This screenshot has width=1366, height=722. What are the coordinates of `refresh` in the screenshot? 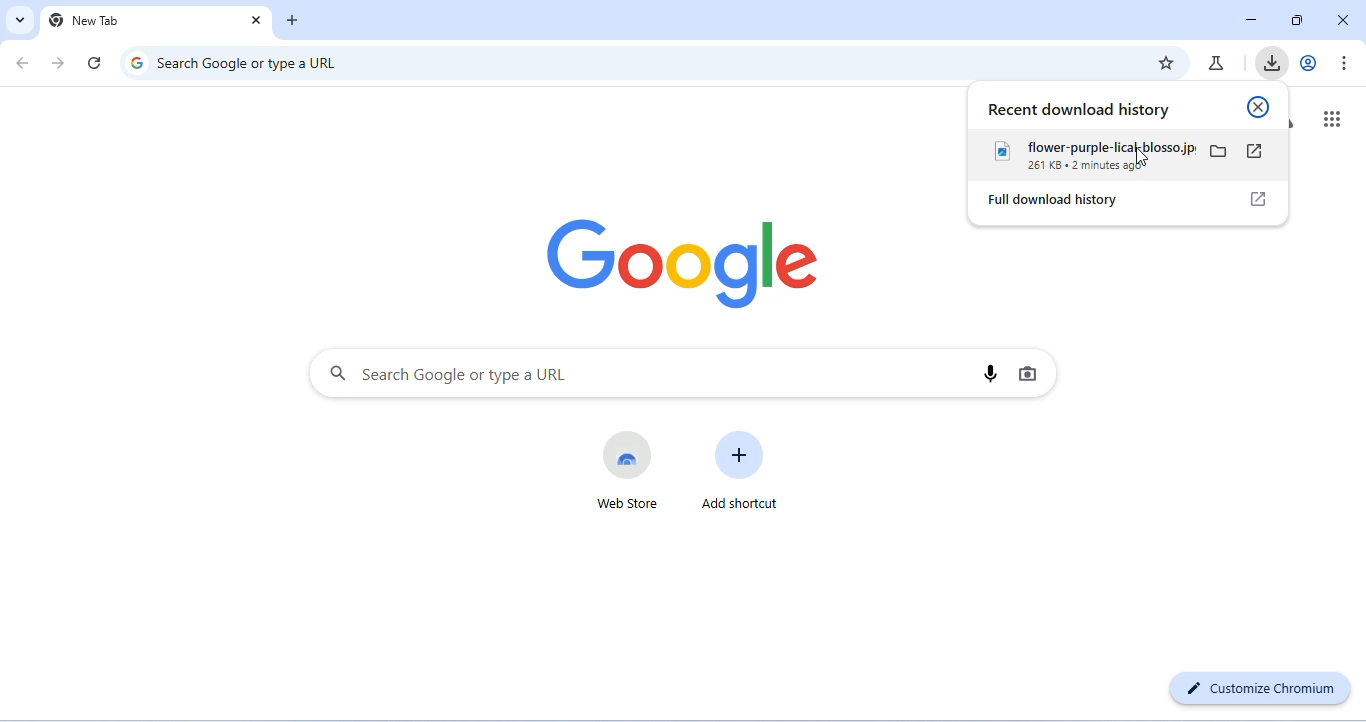 It's located at (94, 62).